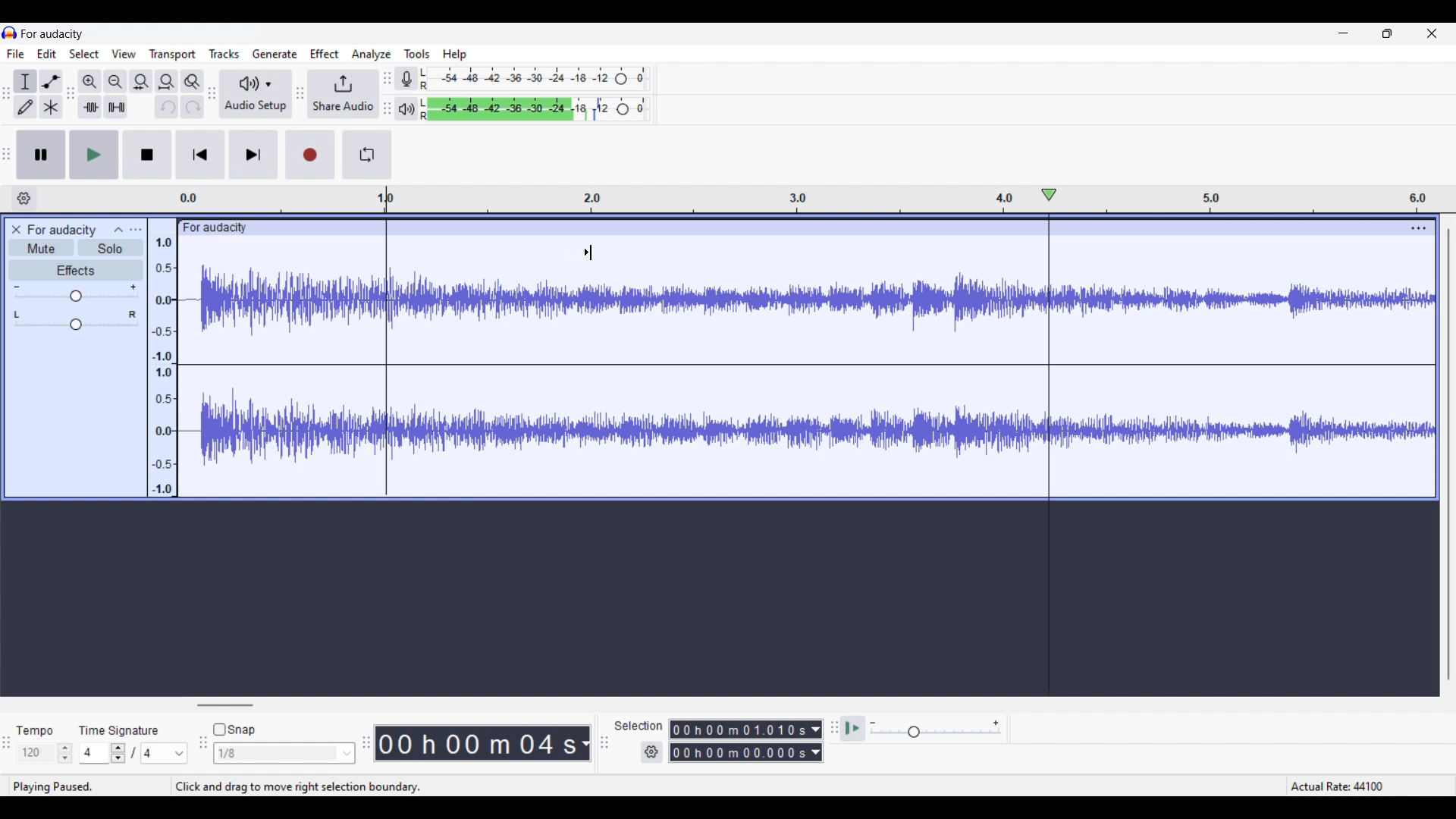 The image size is (1456, 819). What do you see at coordinates (90, 82) in the screenshot?
I see `Zoom in` at bounding box center [90, 82].